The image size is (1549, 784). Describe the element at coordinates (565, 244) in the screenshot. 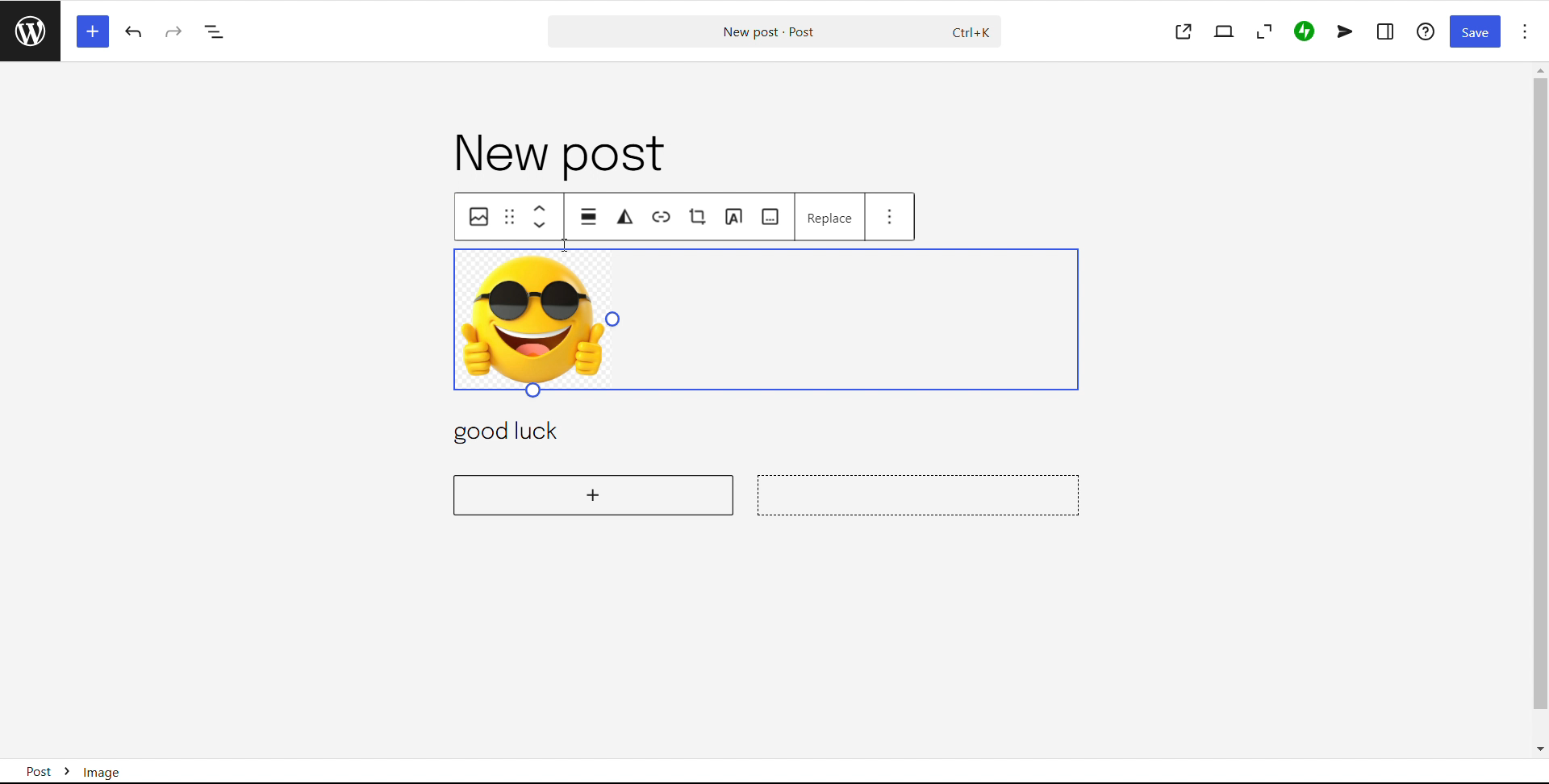

I see `cursor` at that location.